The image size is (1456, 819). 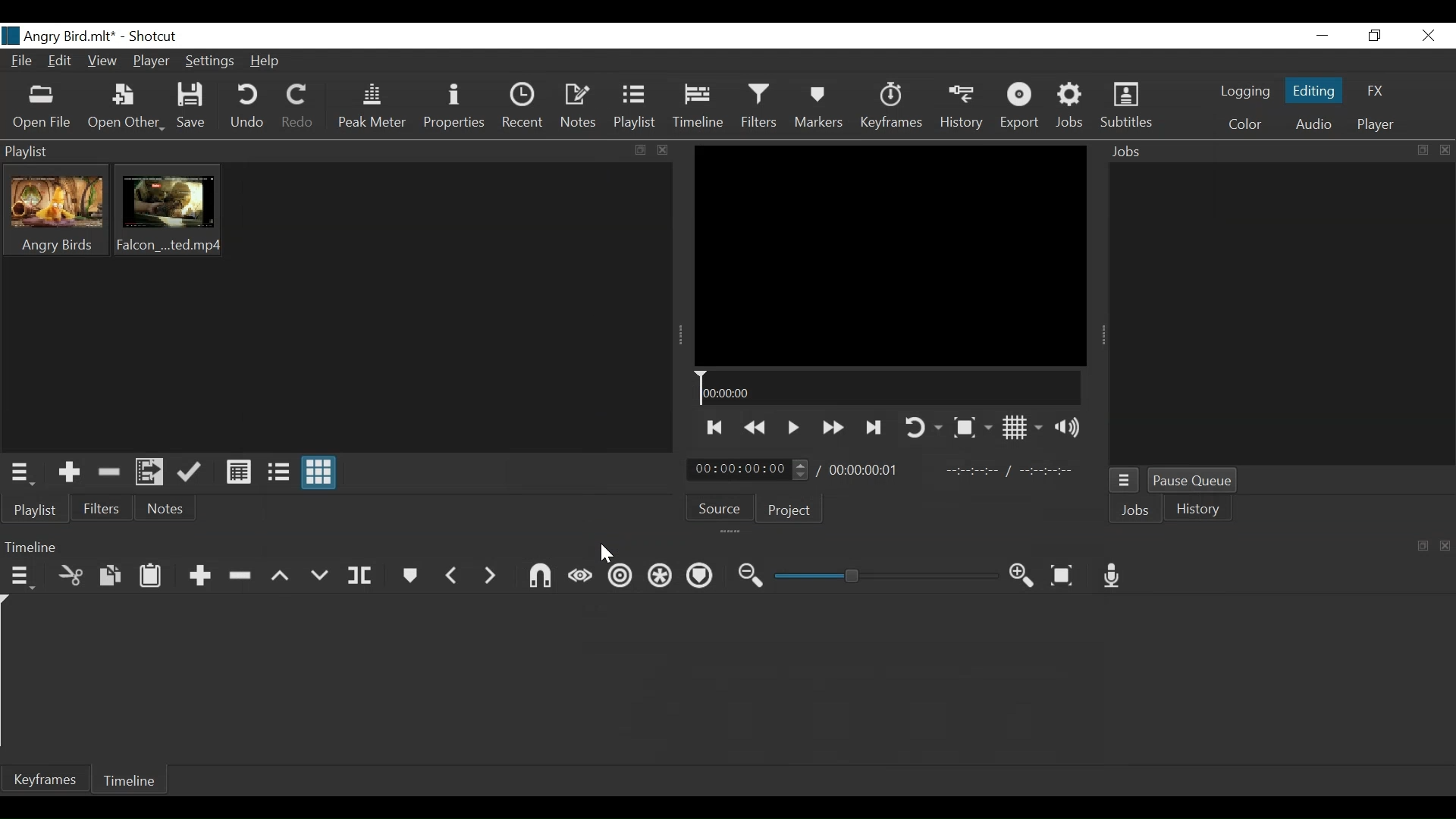 I want to click on Markers, so click(x=821, y=107).